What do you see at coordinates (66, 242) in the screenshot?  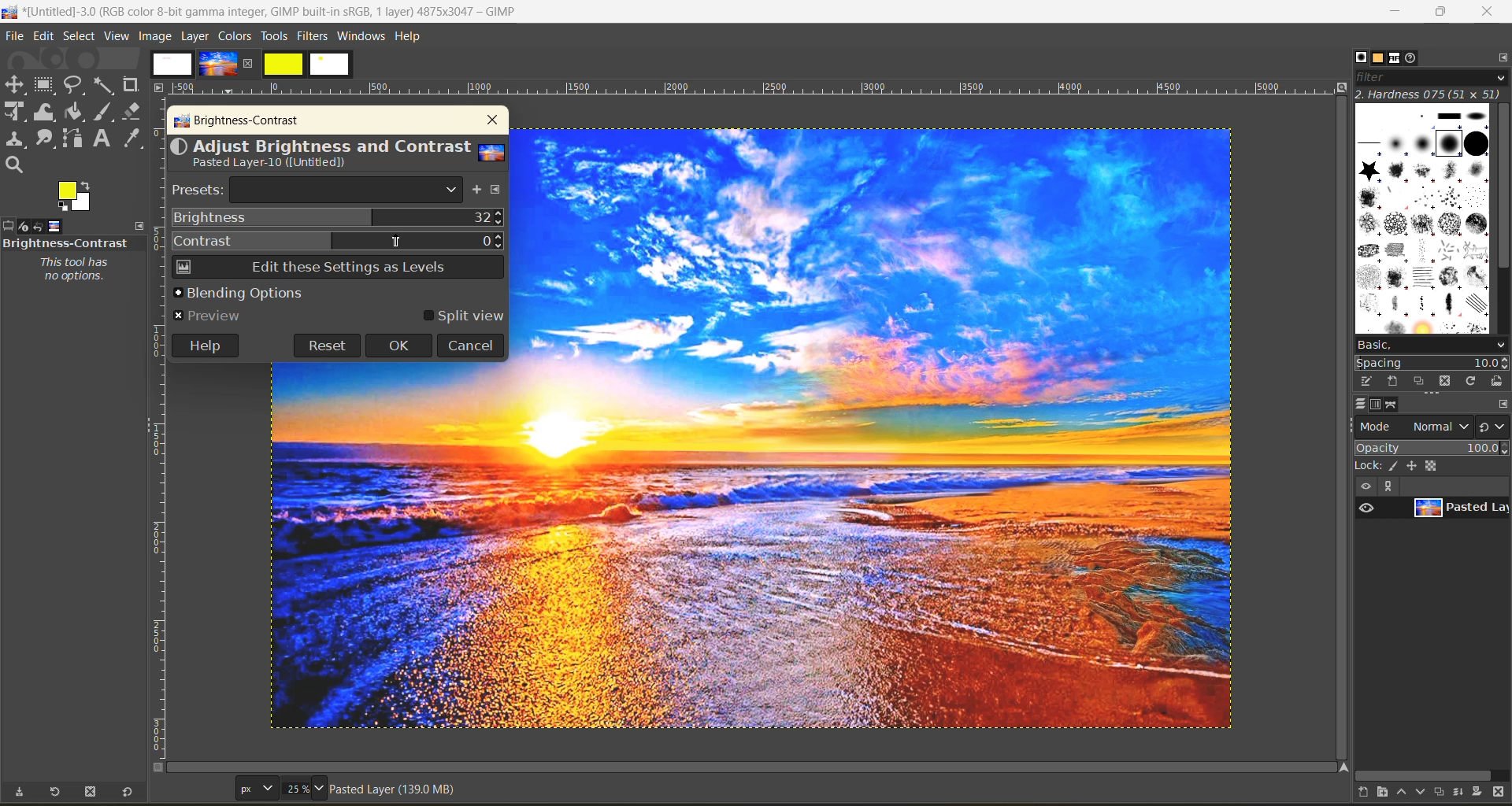 I see `Brightness and contrast` at bounding box center [66, 242].